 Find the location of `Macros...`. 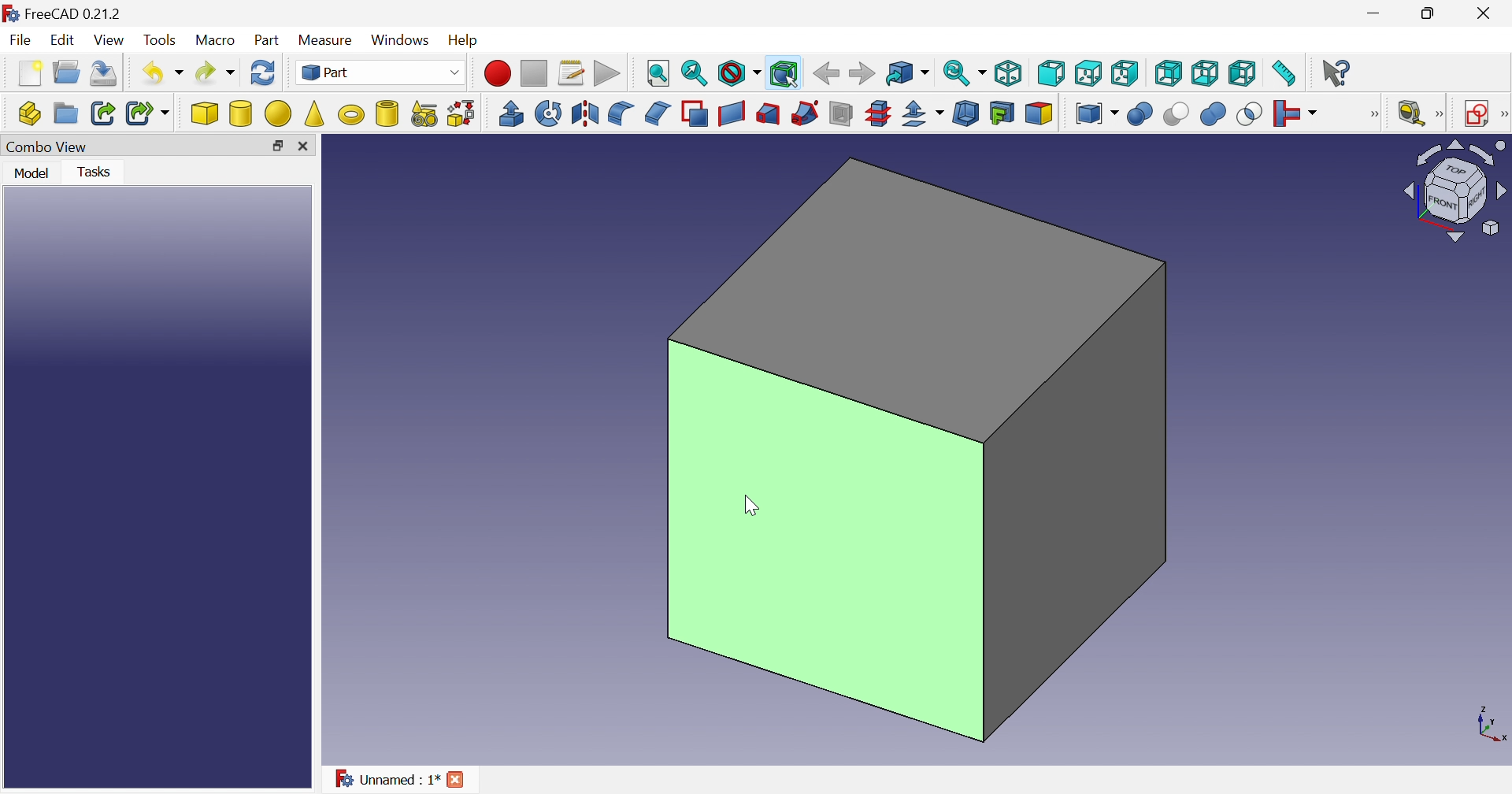

Macros... is located at coordinates (571, 75).